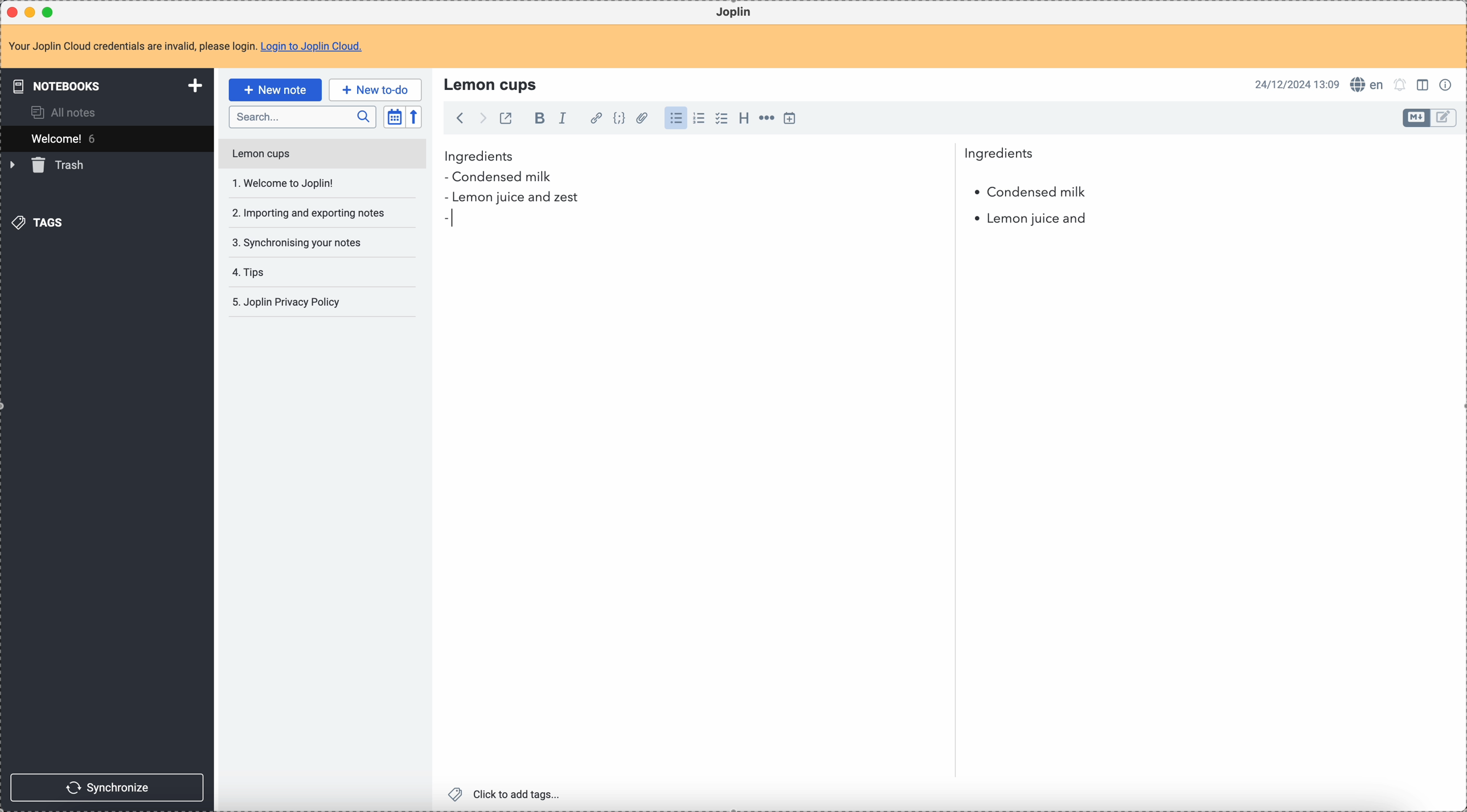  Describe the element at coordinates (1417, 118) in the screenshot. I see `toggle edit layout` at that location.